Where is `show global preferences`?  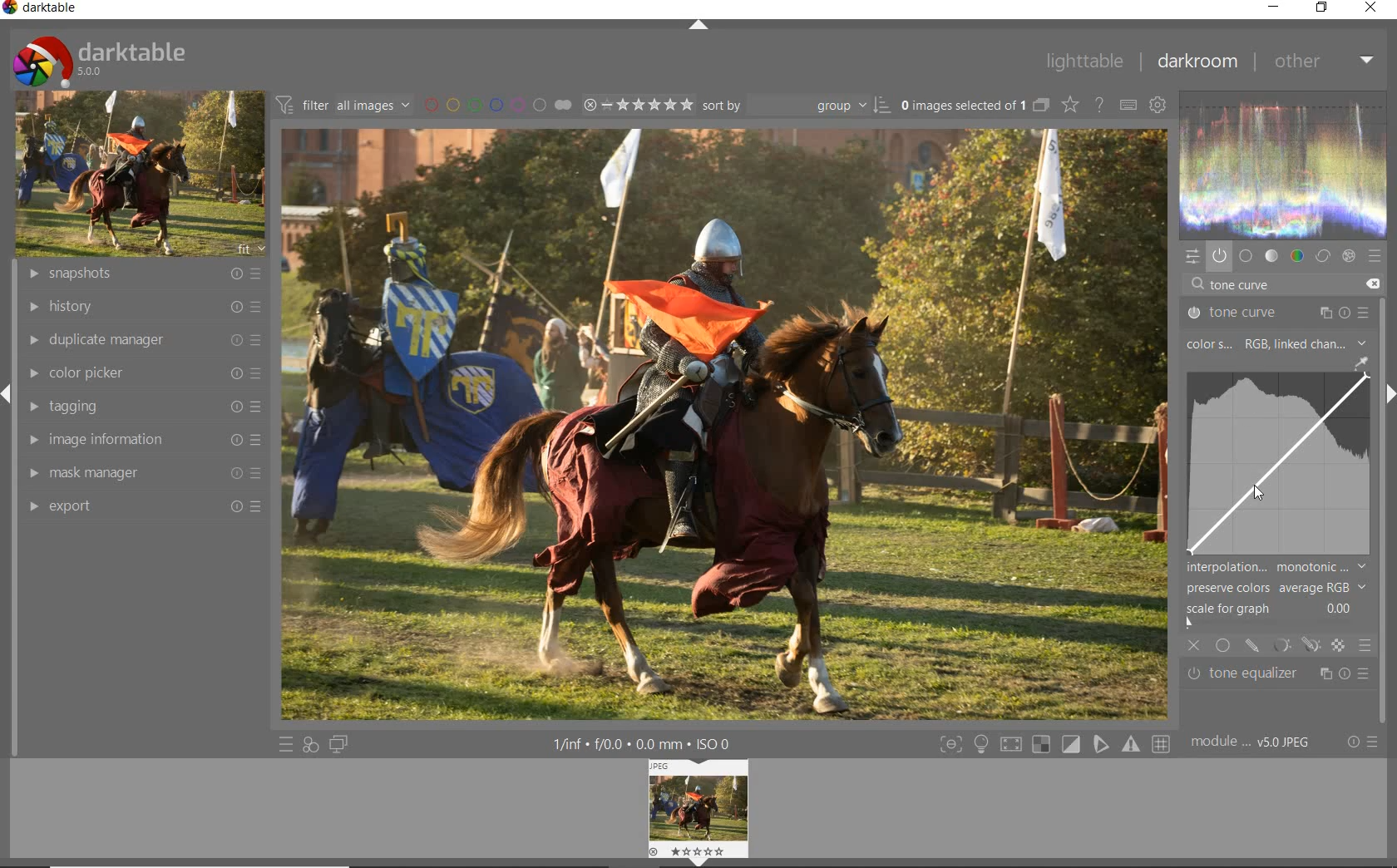 show global preferences is located at coordinates (1157, 106).